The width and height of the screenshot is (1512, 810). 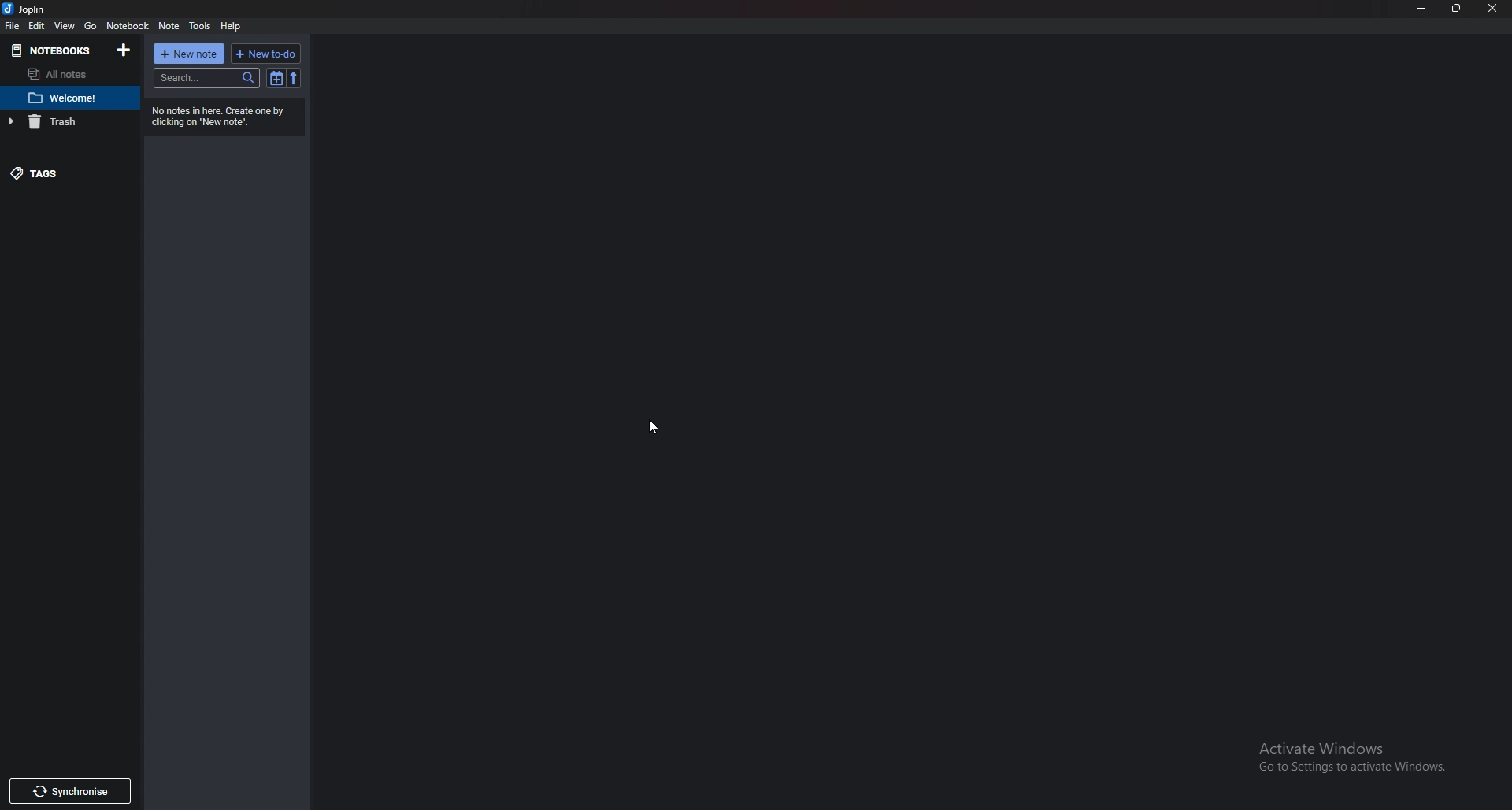 I want to click on Add notebook, so click(x=124, y=50).